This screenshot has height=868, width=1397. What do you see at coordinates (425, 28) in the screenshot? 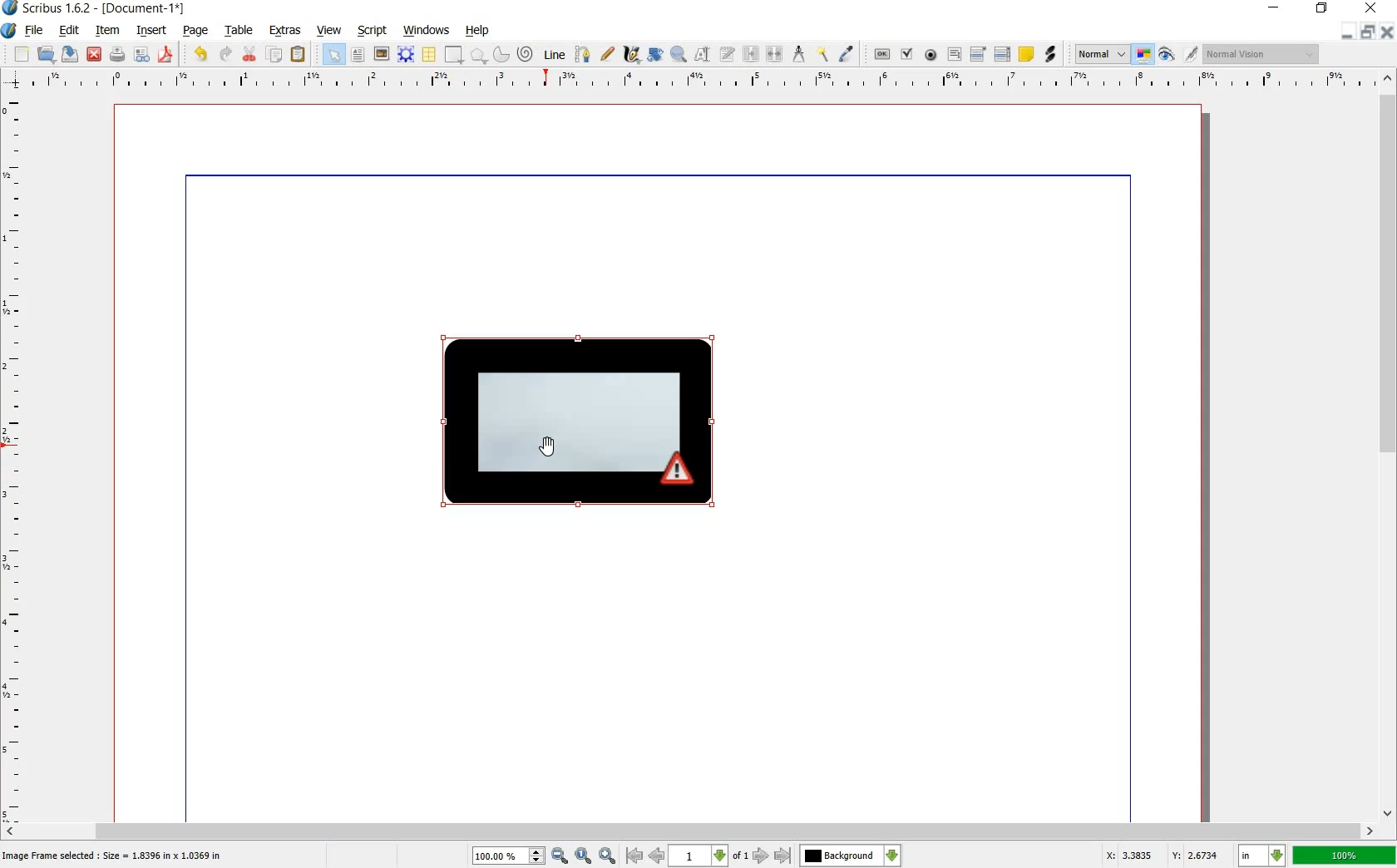
I see `windows` at bounding box center [425, 28].